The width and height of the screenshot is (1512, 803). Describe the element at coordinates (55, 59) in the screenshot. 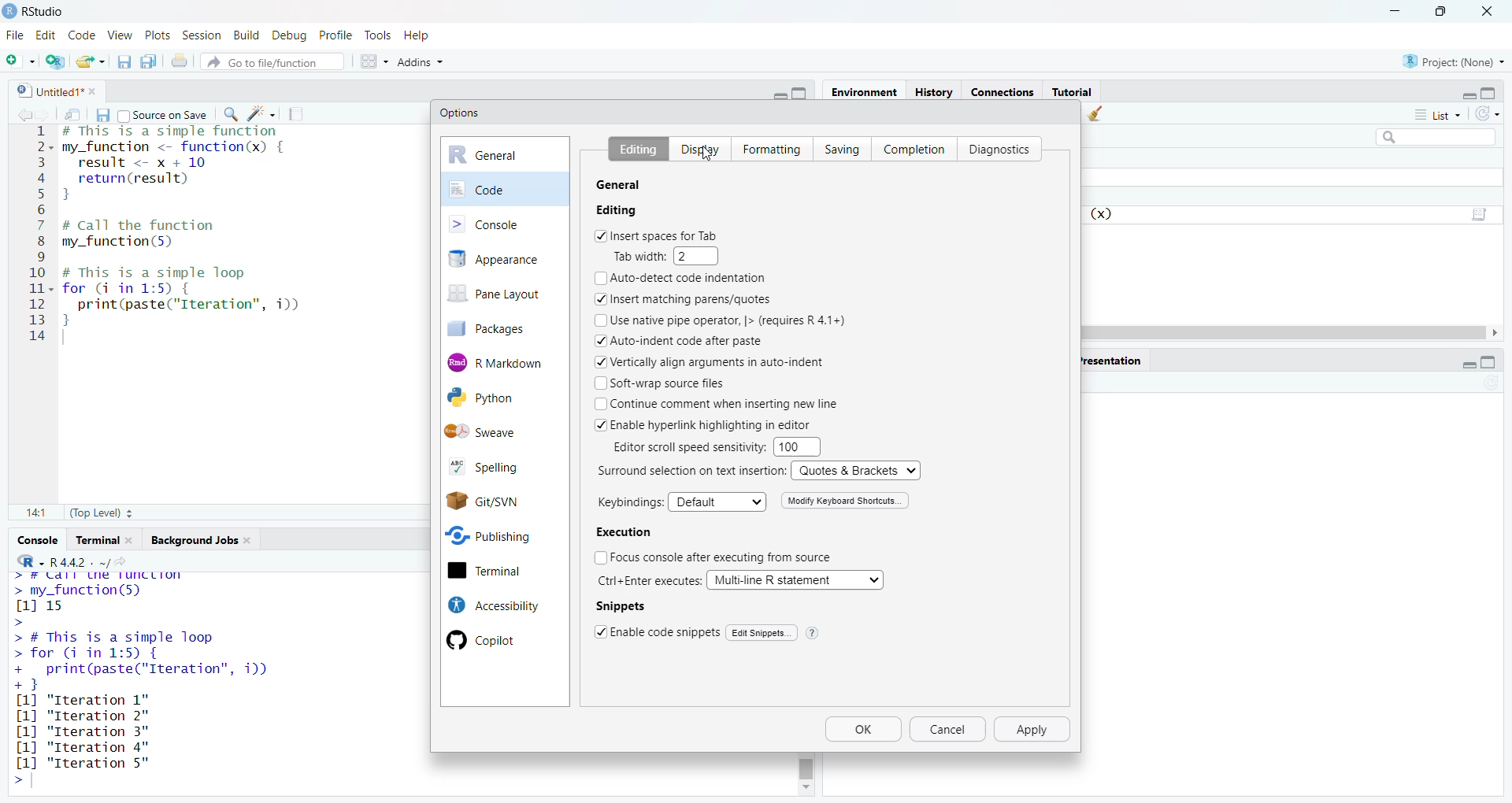

I see `create a project` at that location.